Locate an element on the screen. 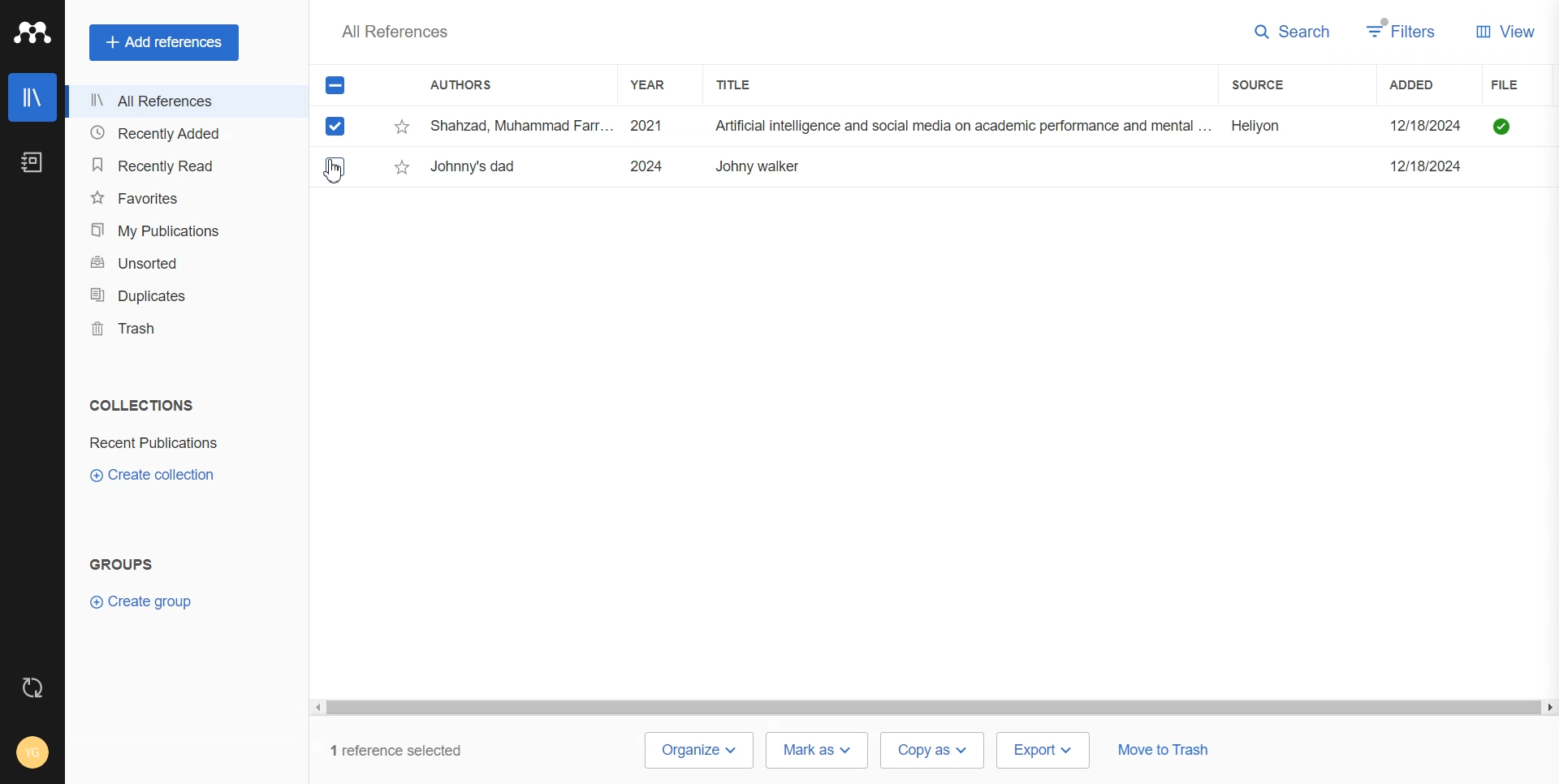 The width and height of the screenshot is (1559, 784). Cursor is located at coordinates (334, 172).